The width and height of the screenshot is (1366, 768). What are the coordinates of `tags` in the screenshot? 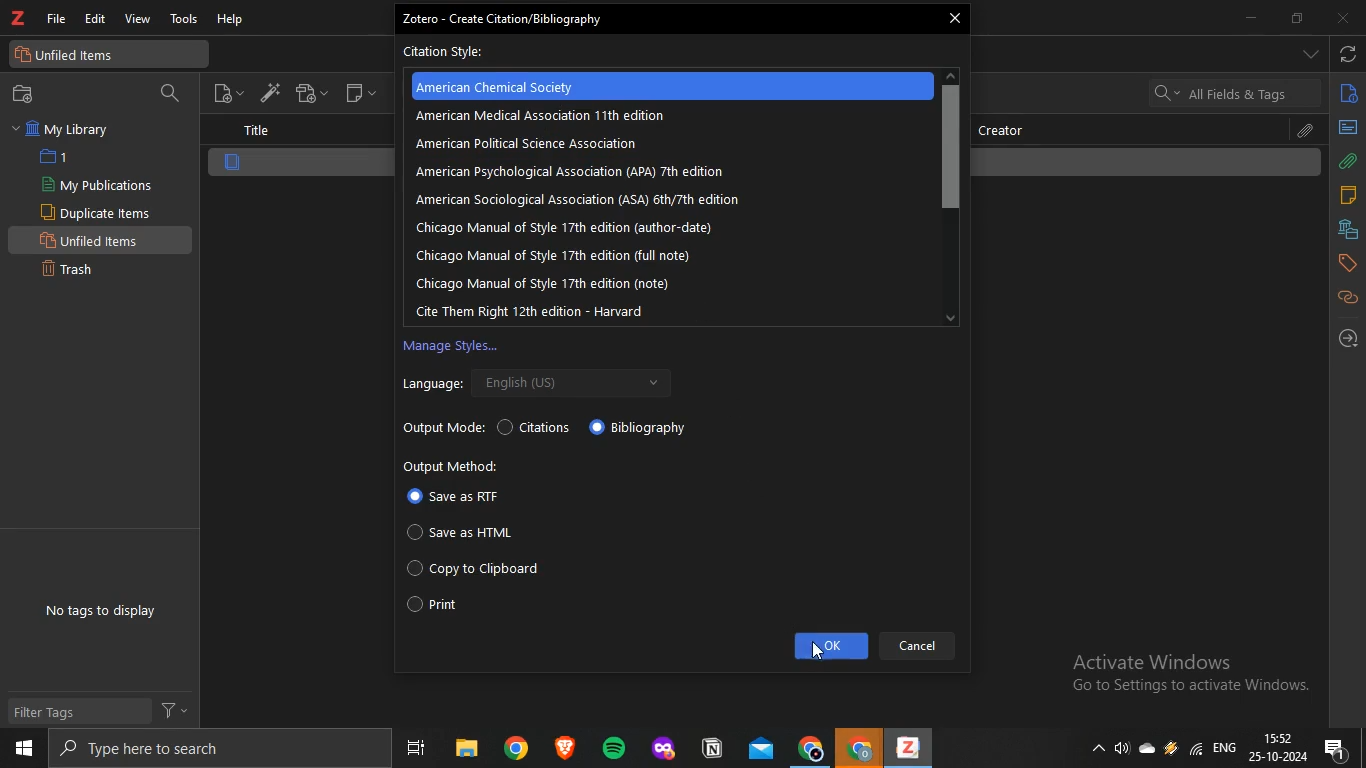 It's located at (1348, 262).